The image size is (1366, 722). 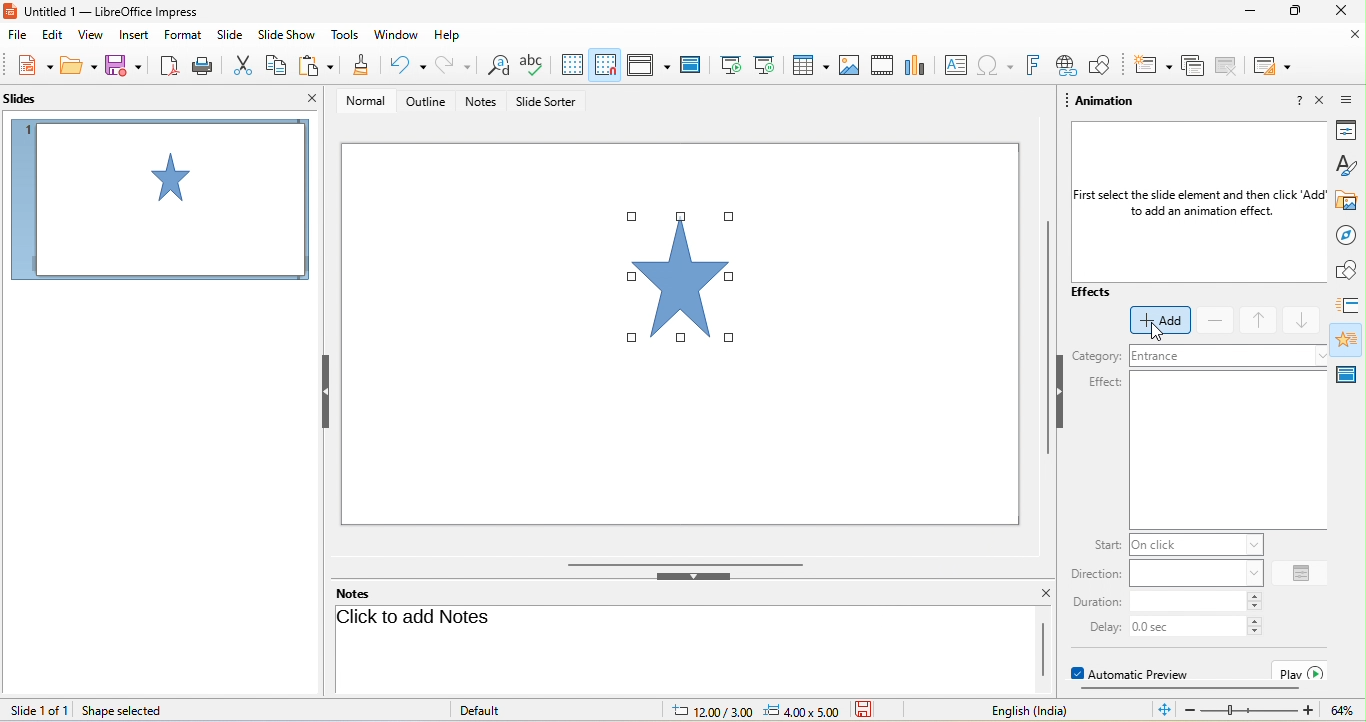 What do you see at coordinates (1196, 572) in the screenshot?
I see `input direction` at bounding box center [1196, 572].